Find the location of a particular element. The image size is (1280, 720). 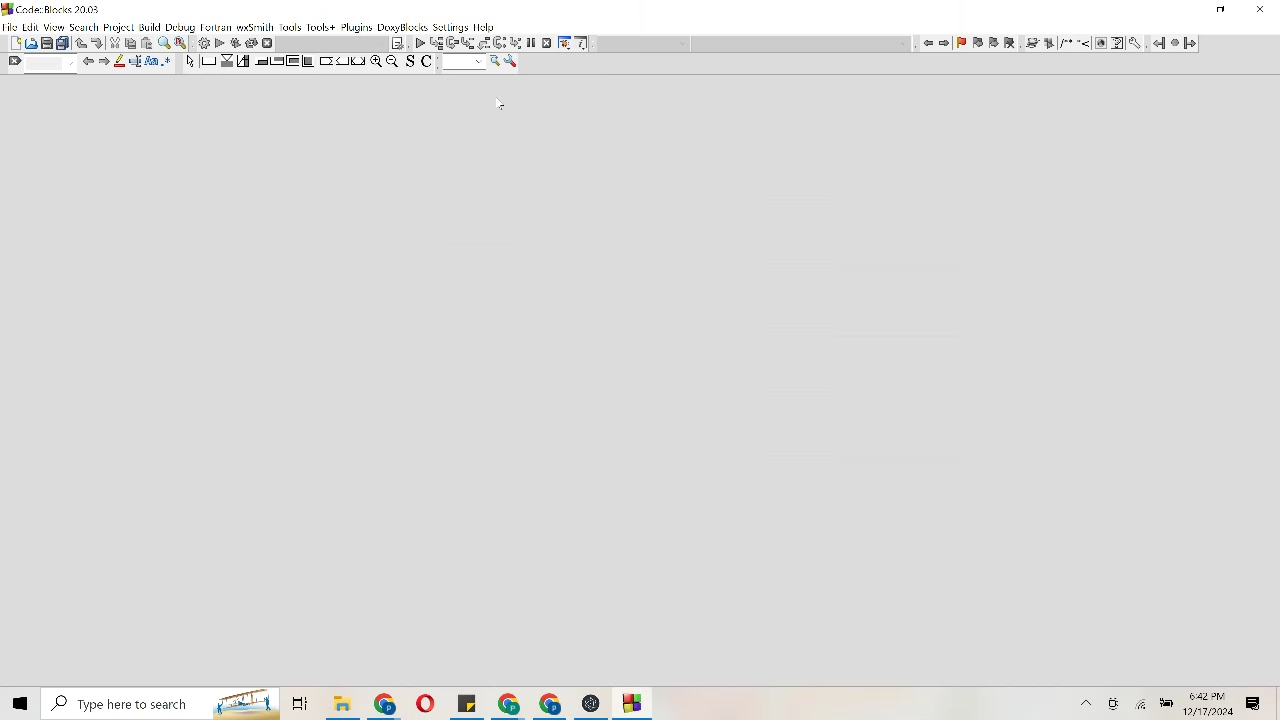

File is located at coordinates (634, 704).